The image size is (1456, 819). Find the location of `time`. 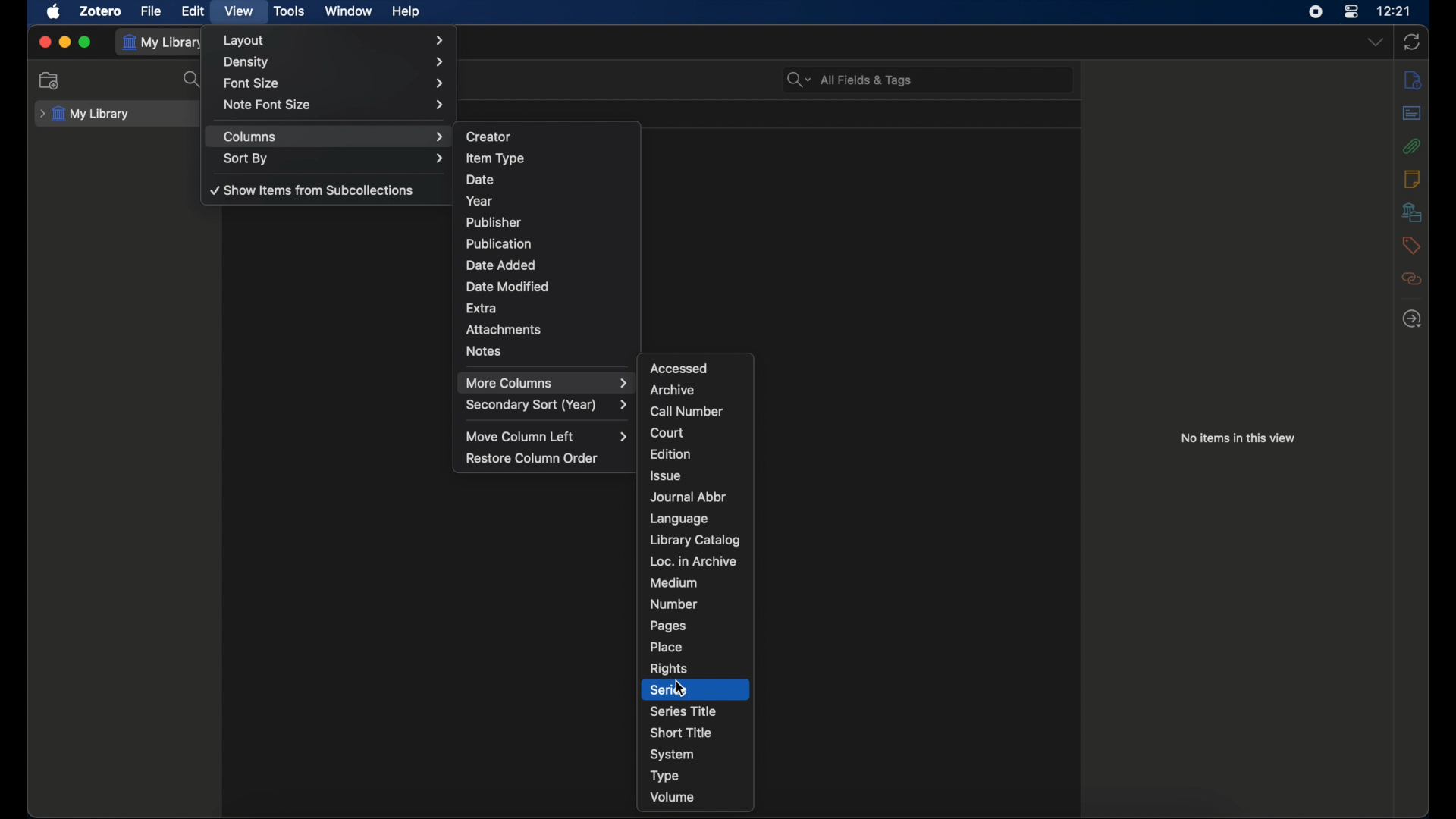

time is located at coordinates (1394, 10).